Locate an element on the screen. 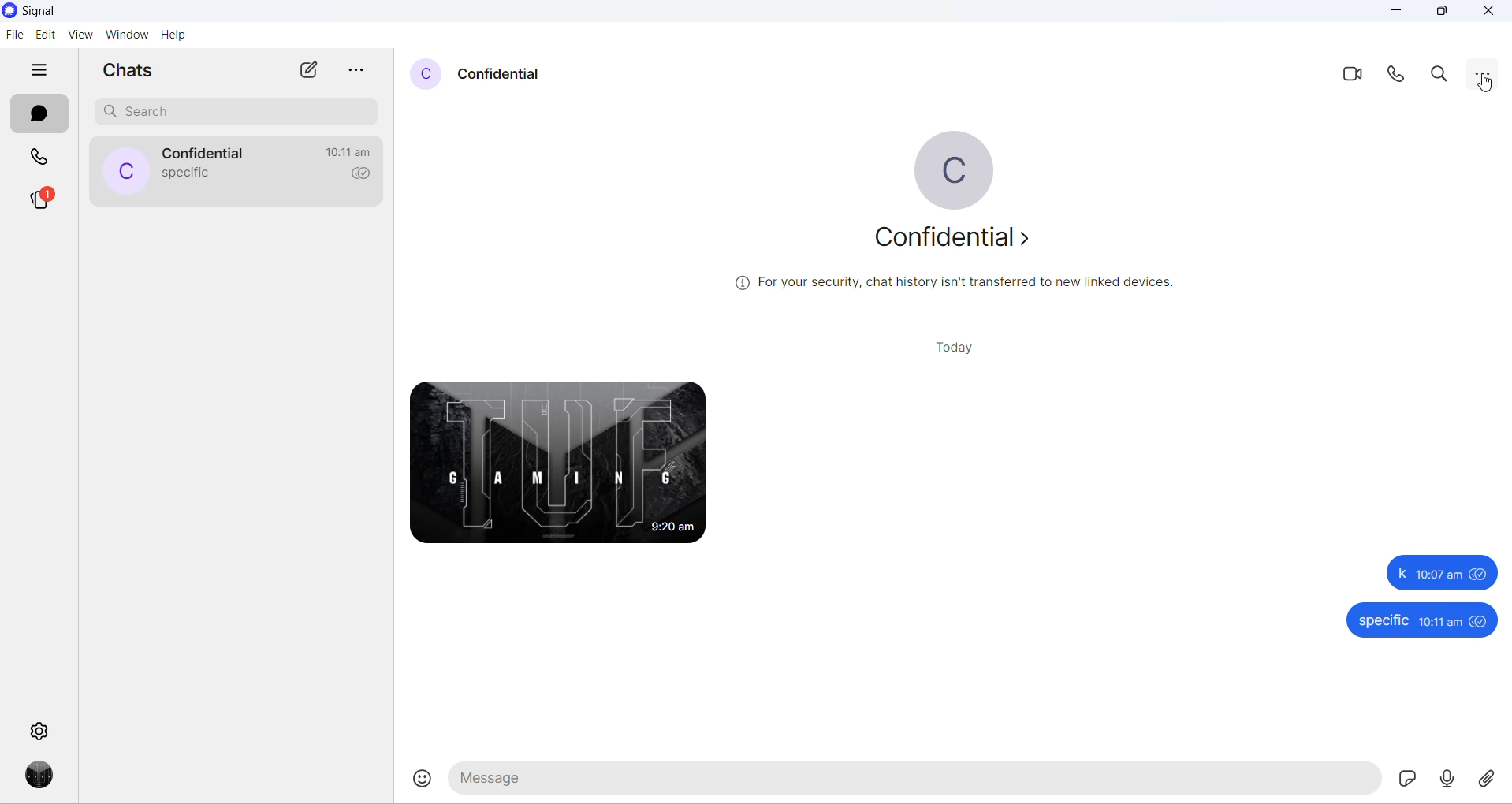 Image resolution: width=1512 pixels, height=804 pixels. chats is located at coordinates (39, 115).